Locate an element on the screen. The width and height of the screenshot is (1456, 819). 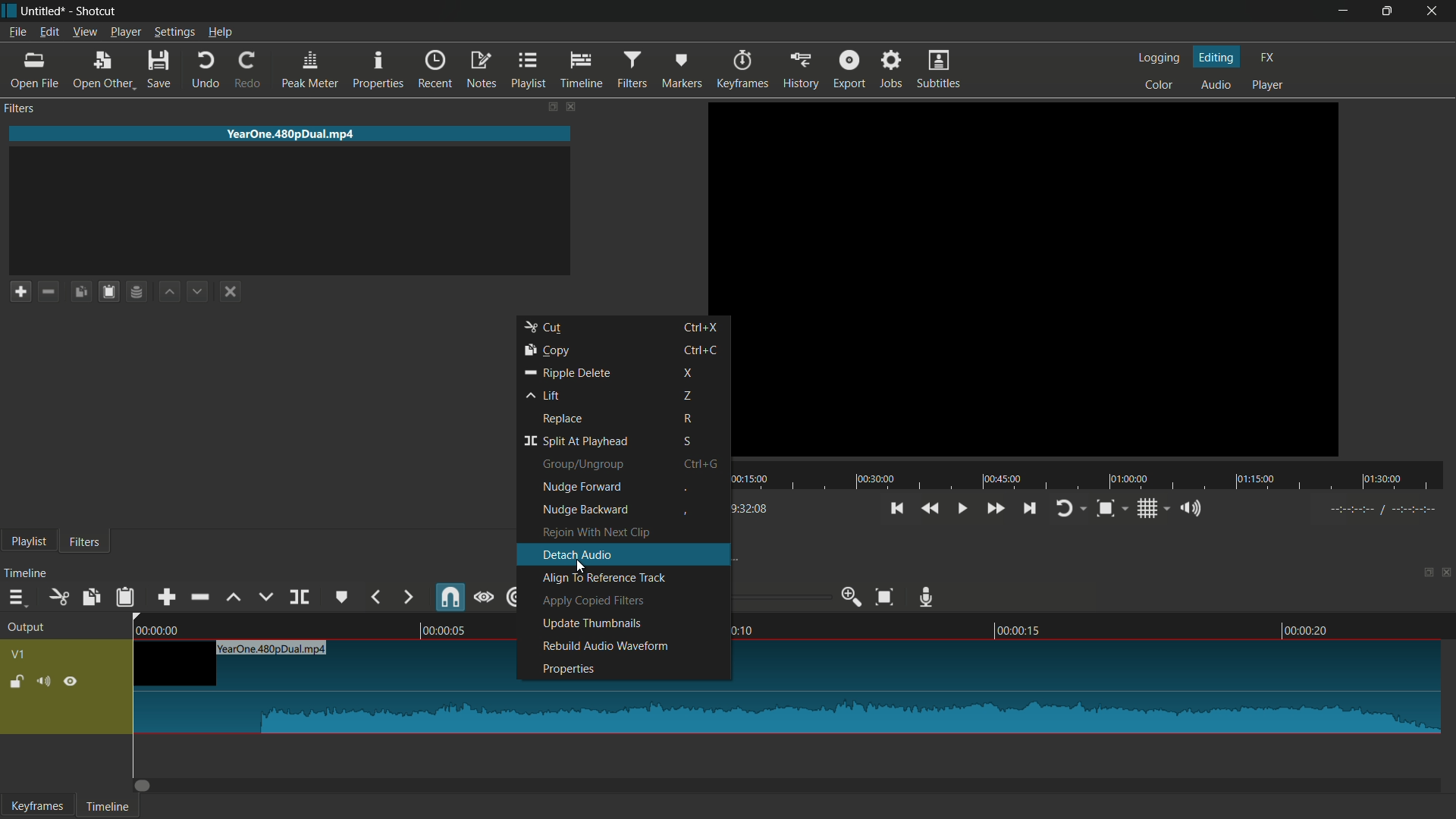
history is located at coordinates (801, 70).